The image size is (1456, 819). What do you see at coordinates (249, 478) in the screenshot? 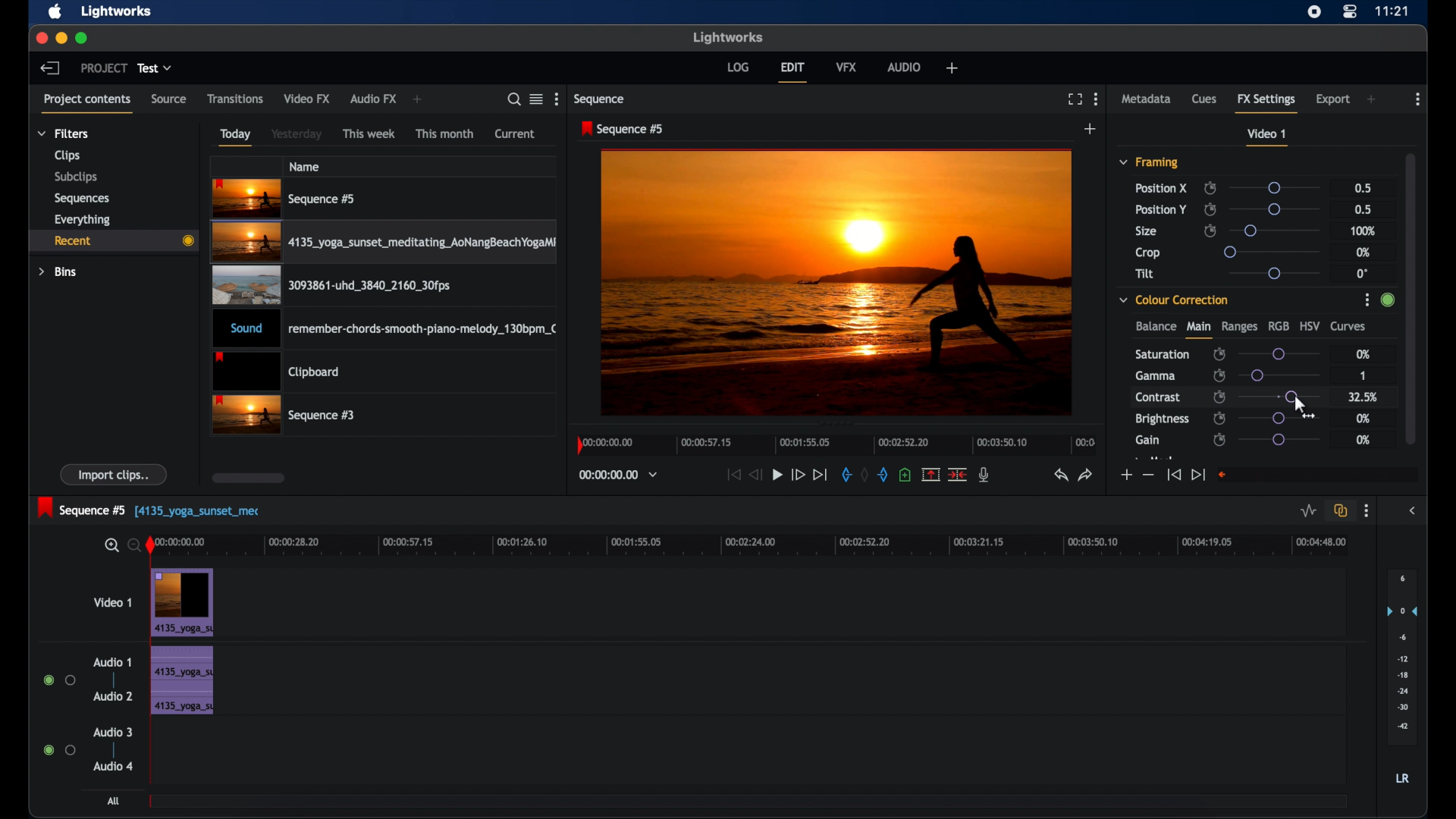
I see `scroll box` at bounding box center [249, 478].